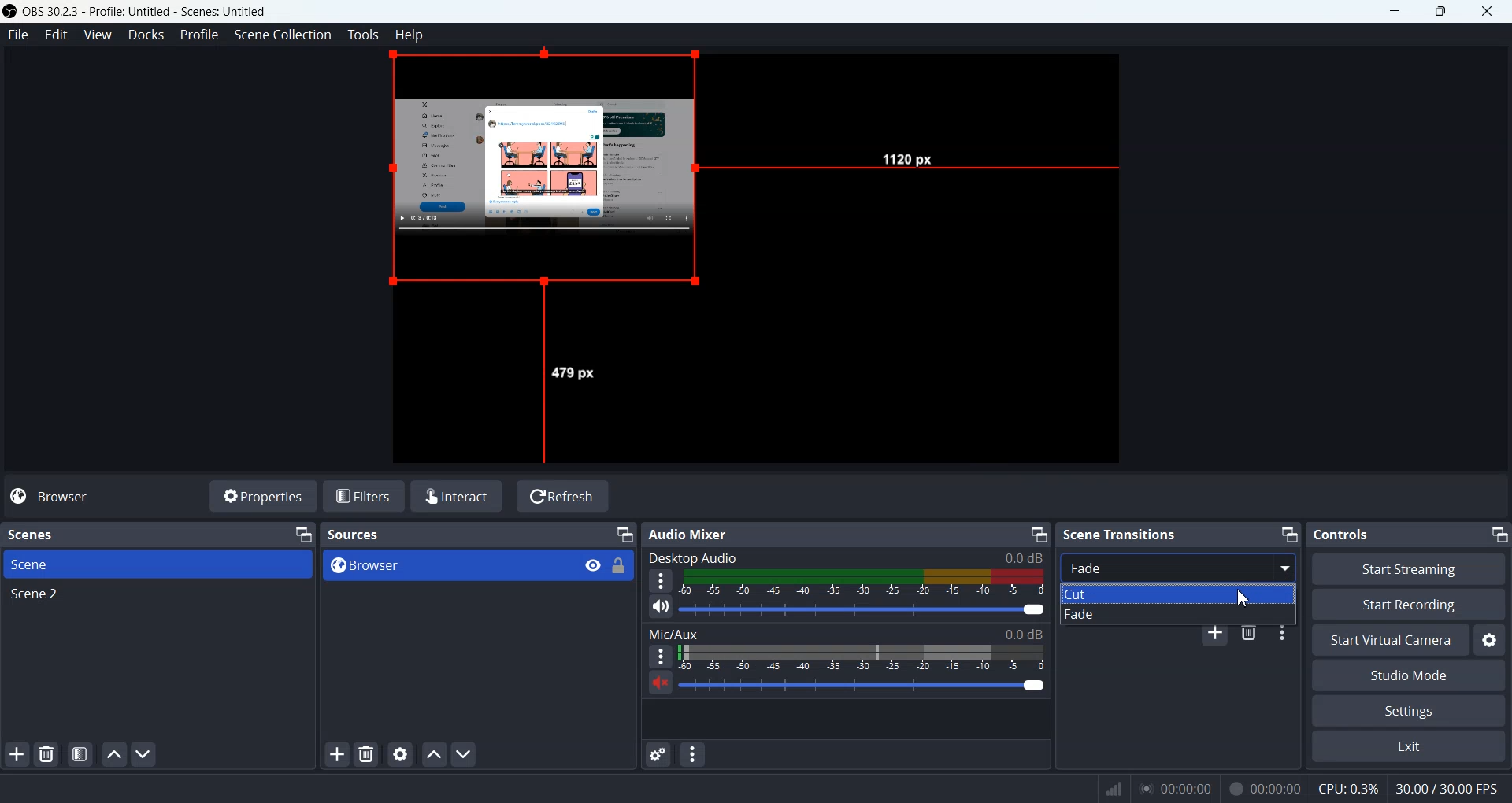 Image resolution: width=1512 pixels, height=803 pixels. What do you see at coordinates (46, 753) in the screenshot?
I see `Delete selected scene` at bounding box center [46, 753].